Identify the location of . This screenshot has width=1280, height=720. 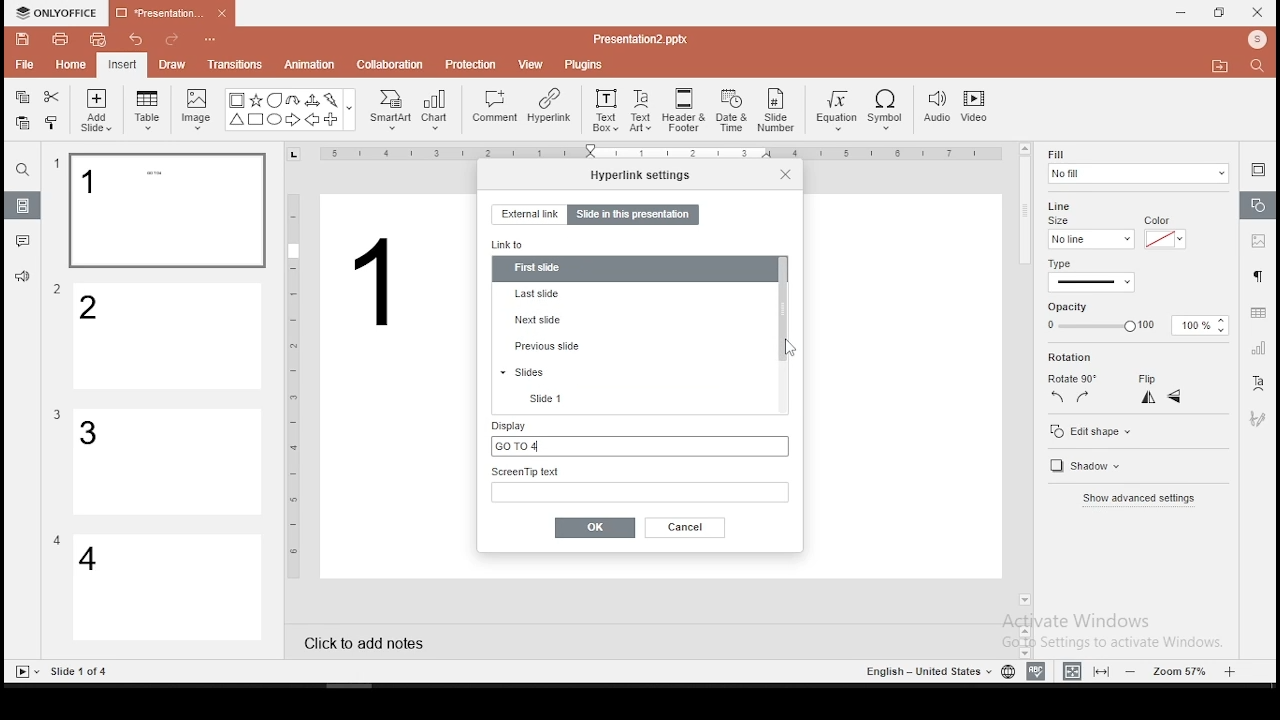
(57, 164).